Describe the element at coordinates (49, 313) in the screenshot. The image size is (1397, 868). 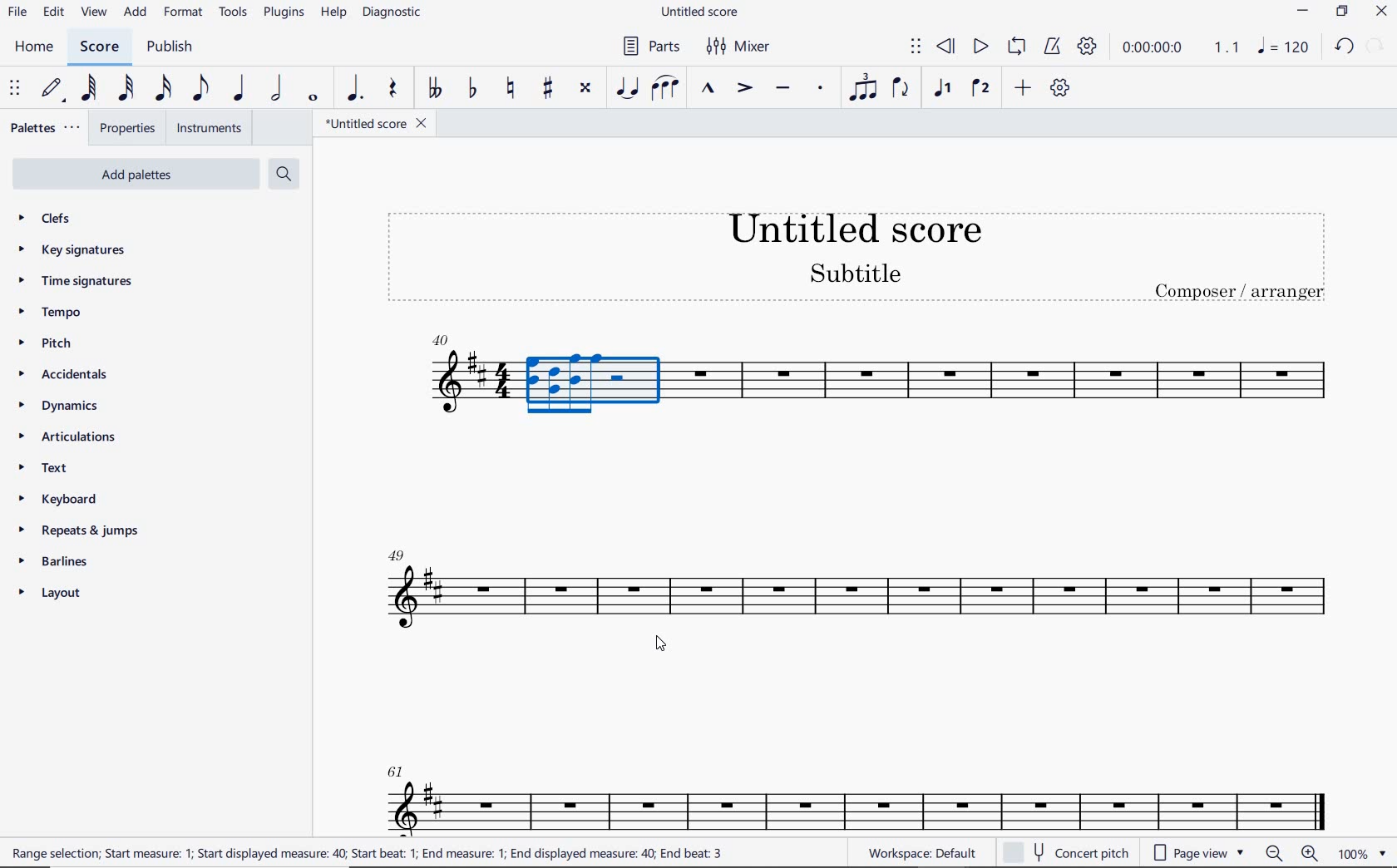
I see `TEMPO` at that location.